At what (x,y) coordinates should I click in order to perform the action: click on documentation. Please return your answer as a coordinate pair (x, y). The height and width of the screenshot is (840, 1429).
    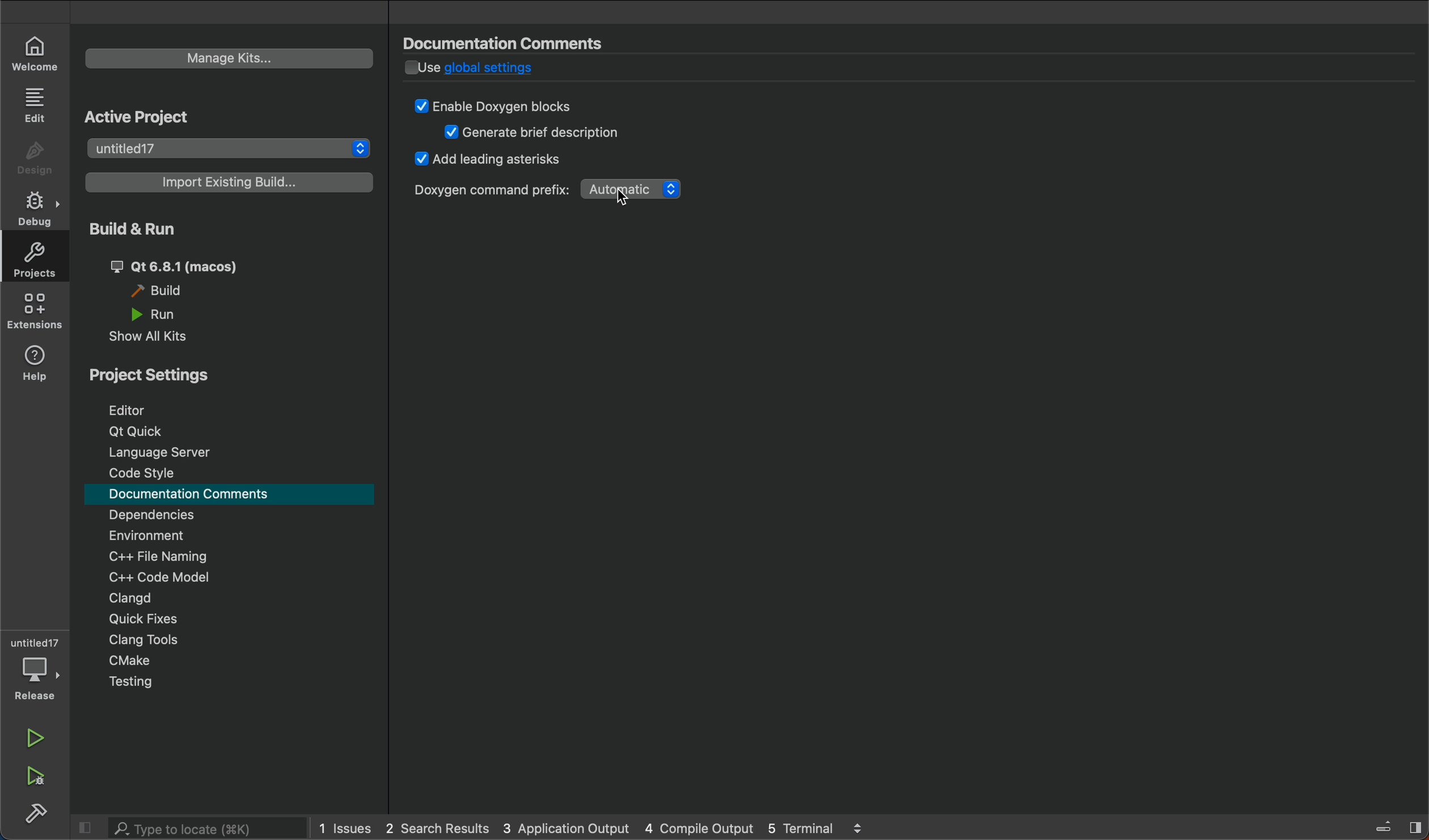
    Looking at the image, I should click on (196, 495).